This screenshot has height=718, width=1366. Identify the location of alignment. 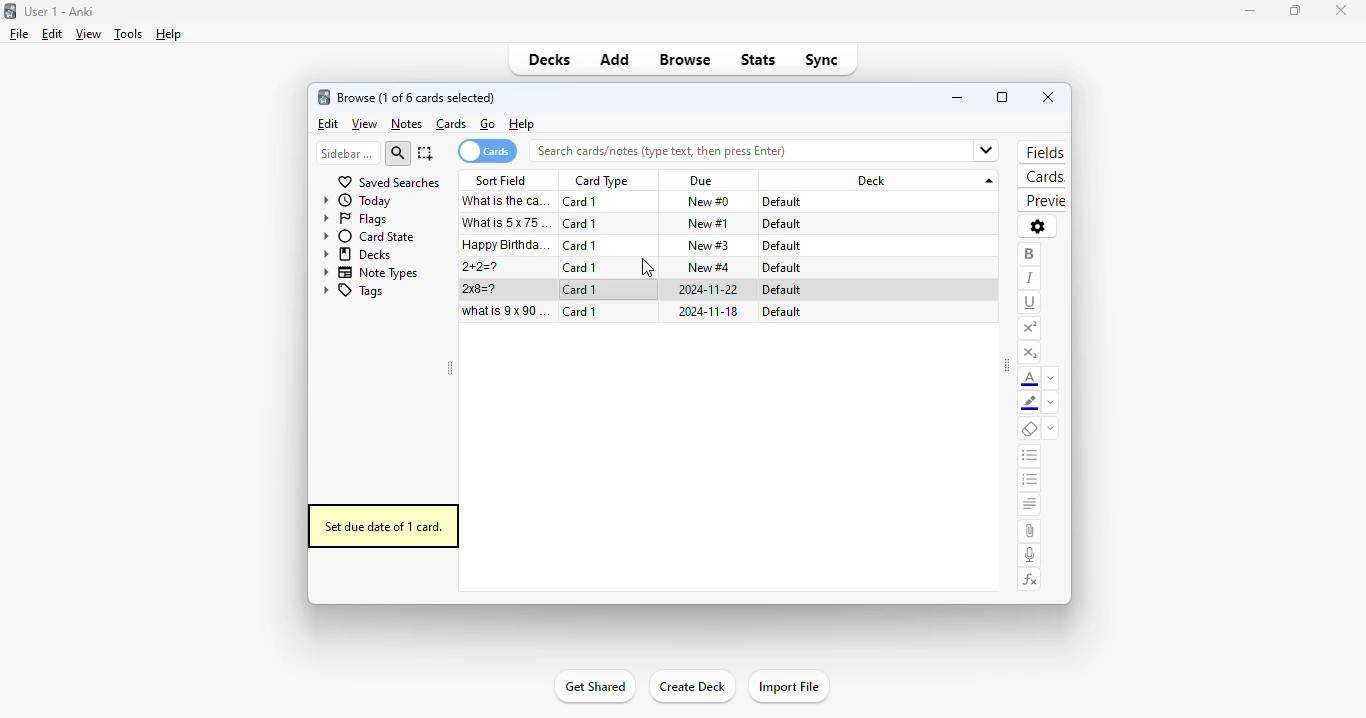
(1029, 506).